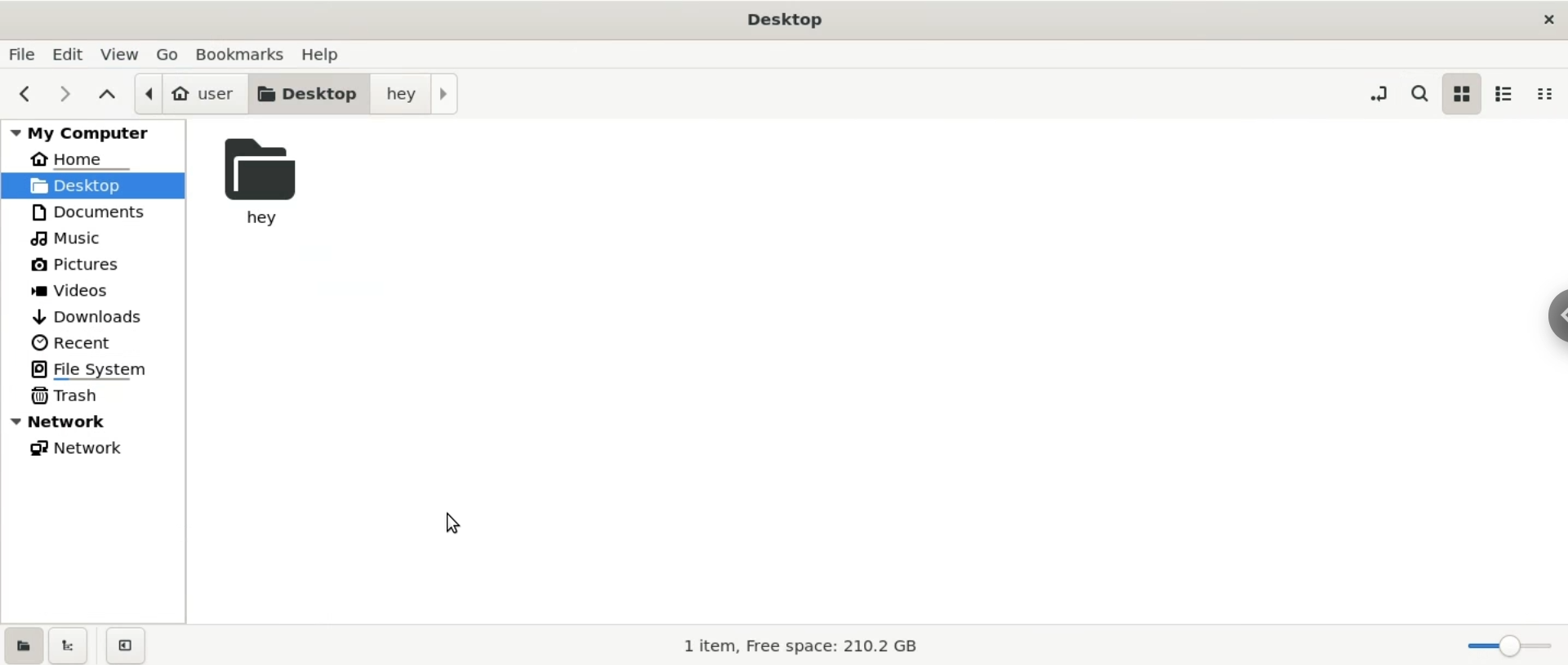 The height and width of the screenshot is (665, 1568). What do you see at coordinates (1379, 91) in the screenshot?
I see `toggle location entry` at bounding box center [1379, 91].